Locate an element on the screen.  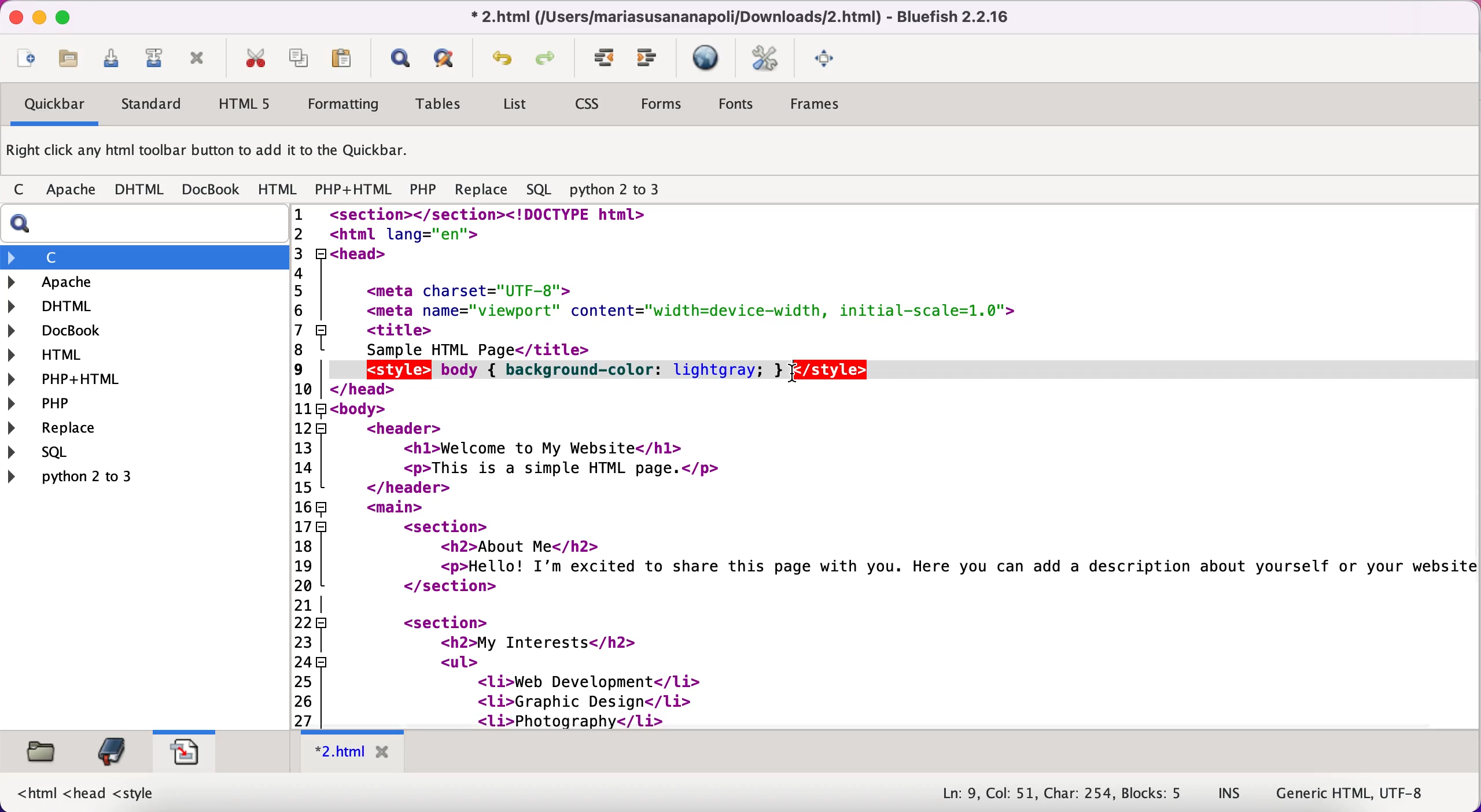
* 2.html is located at coordinates (355, 752).